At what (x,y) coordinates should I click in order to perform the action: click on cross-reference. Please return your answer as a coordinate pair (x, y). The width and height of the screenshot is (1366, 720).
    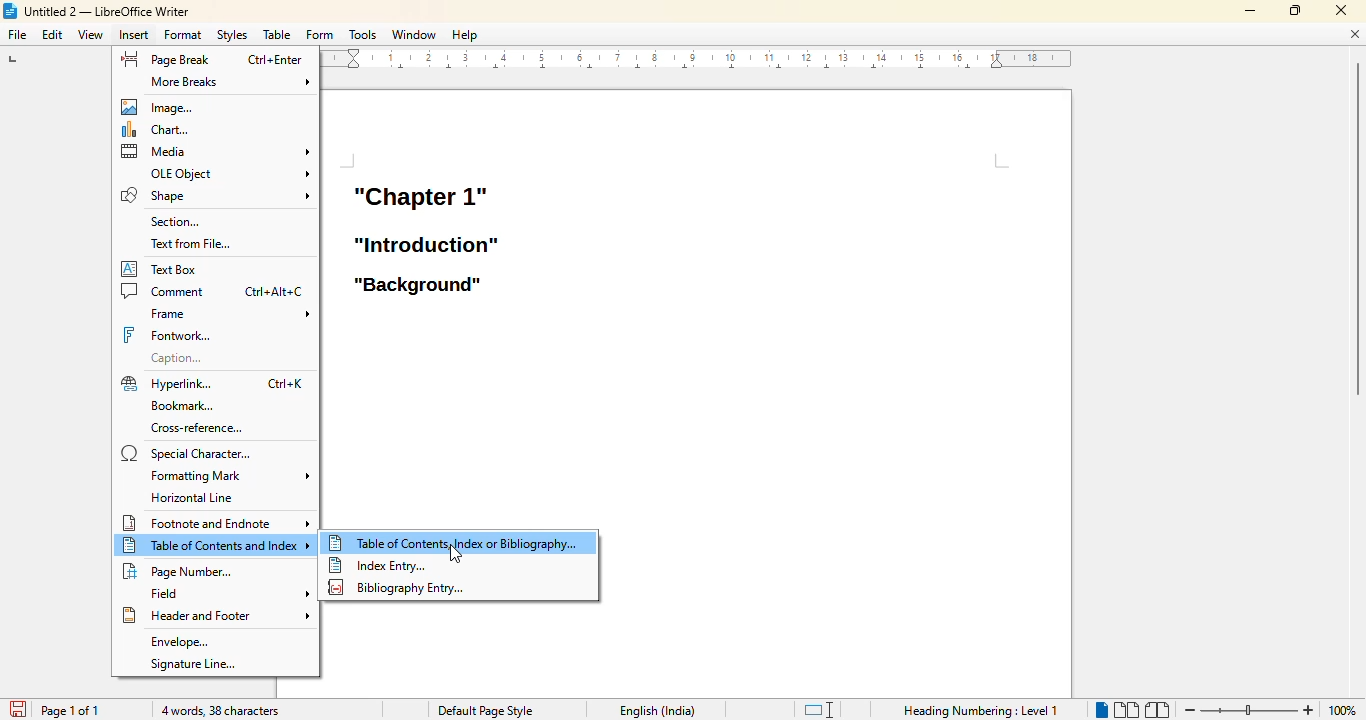
    Looking at the image, I should click on (196, 428).